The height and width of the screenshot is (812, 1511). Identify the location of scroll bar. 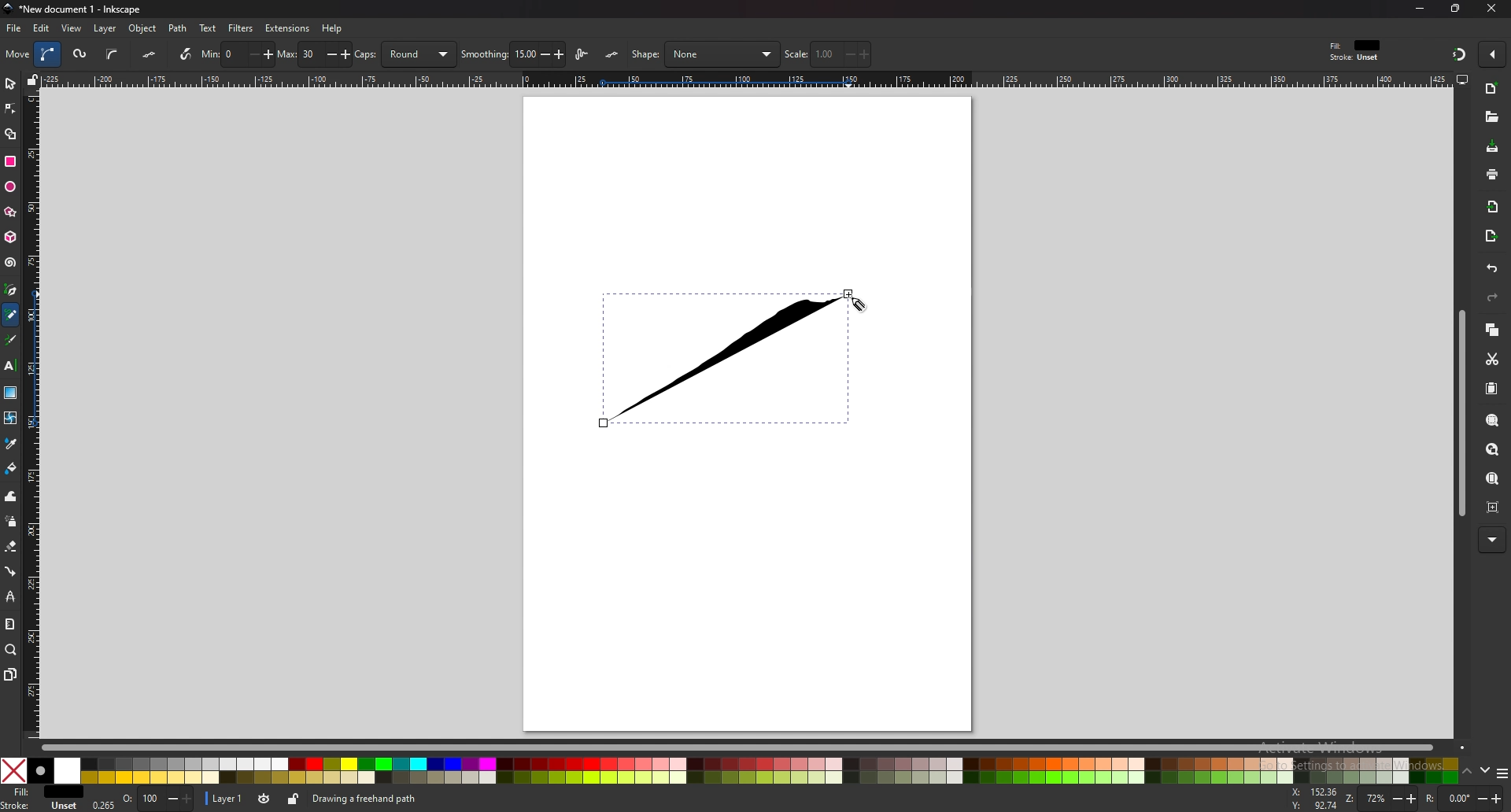
(753, 749).